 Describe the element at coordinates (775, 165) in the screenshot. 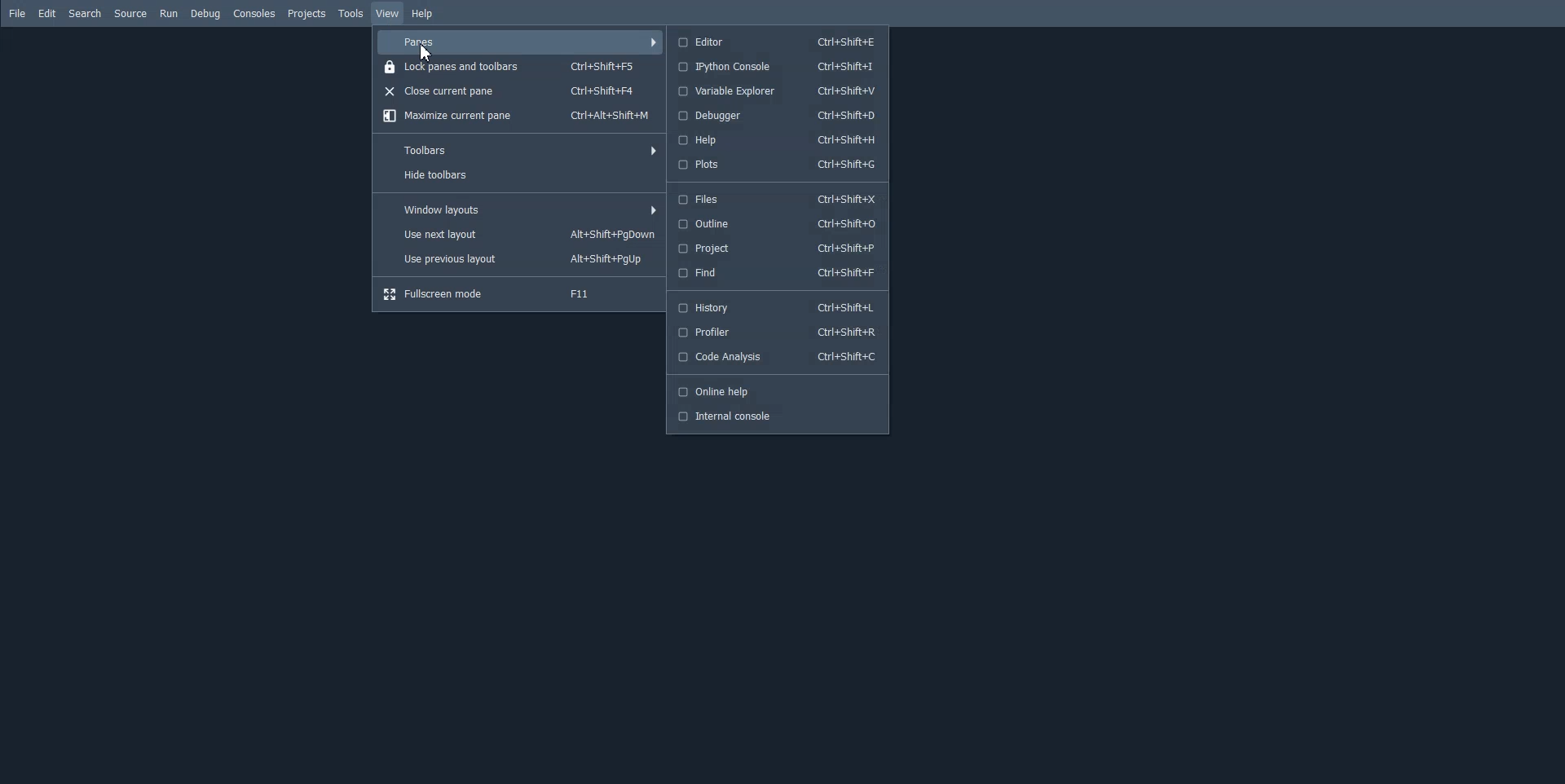

I see `Plot` at that location.